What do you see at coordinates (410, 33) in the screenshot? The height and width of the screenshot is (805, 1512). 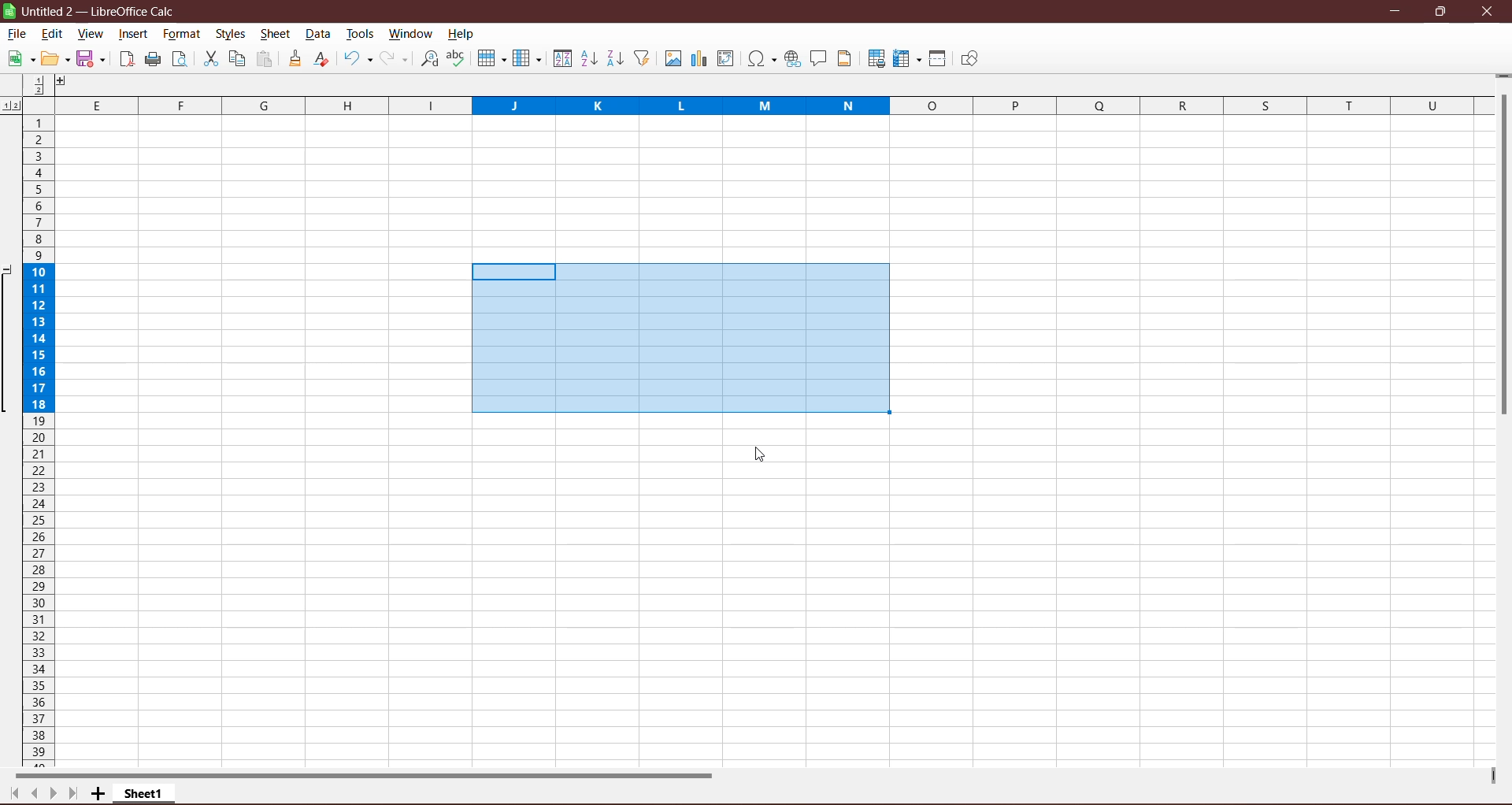 I see `Window` at bounding box center [410, 33].